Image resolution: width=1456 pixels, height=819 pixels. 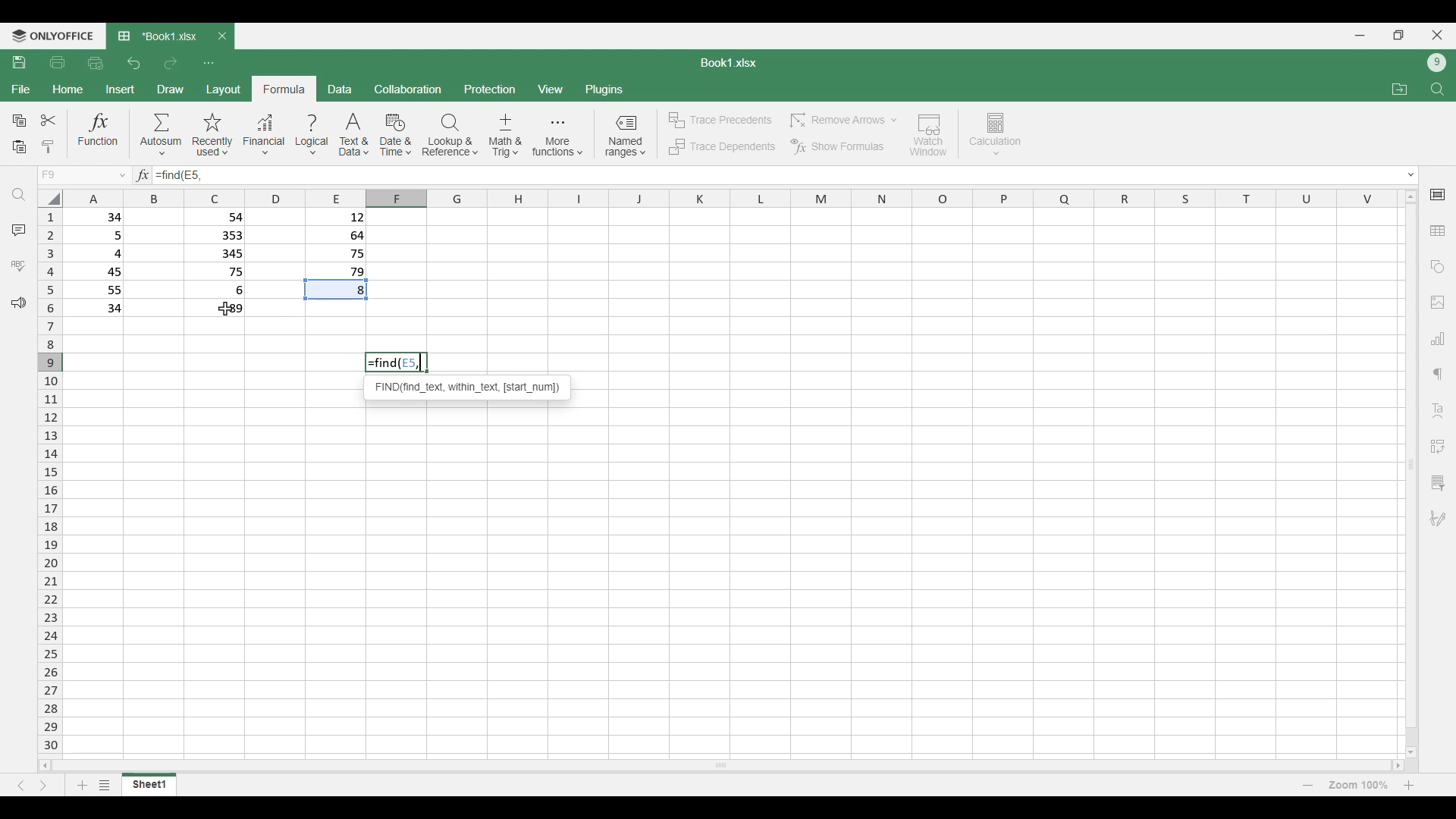 What do you see at coordinates (1438, 35) in the screenshot?
I see `Close interface` at bounding box center [1438, 35].